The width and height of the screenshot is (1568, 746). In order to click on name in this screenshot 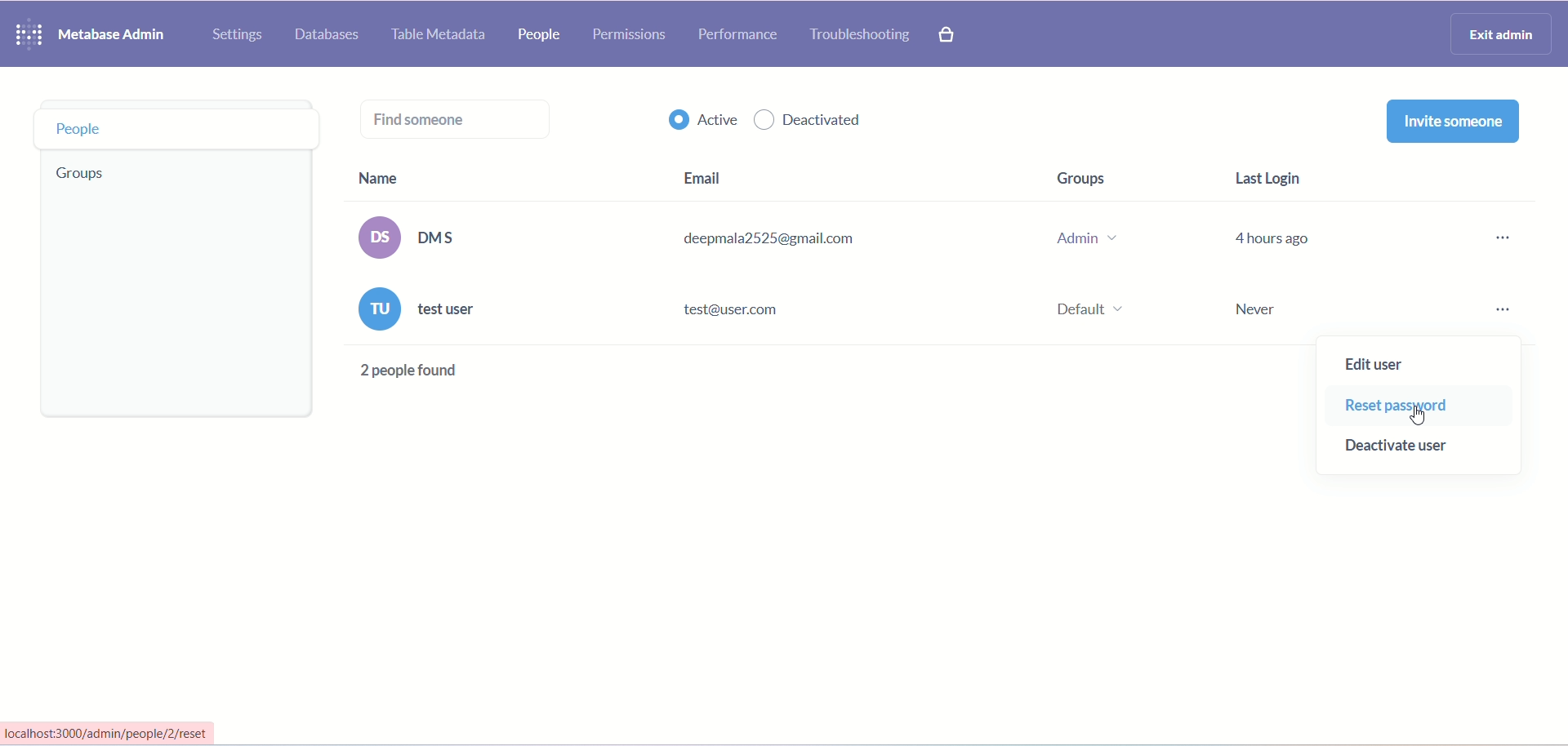, I will do `click(410, 174)`.